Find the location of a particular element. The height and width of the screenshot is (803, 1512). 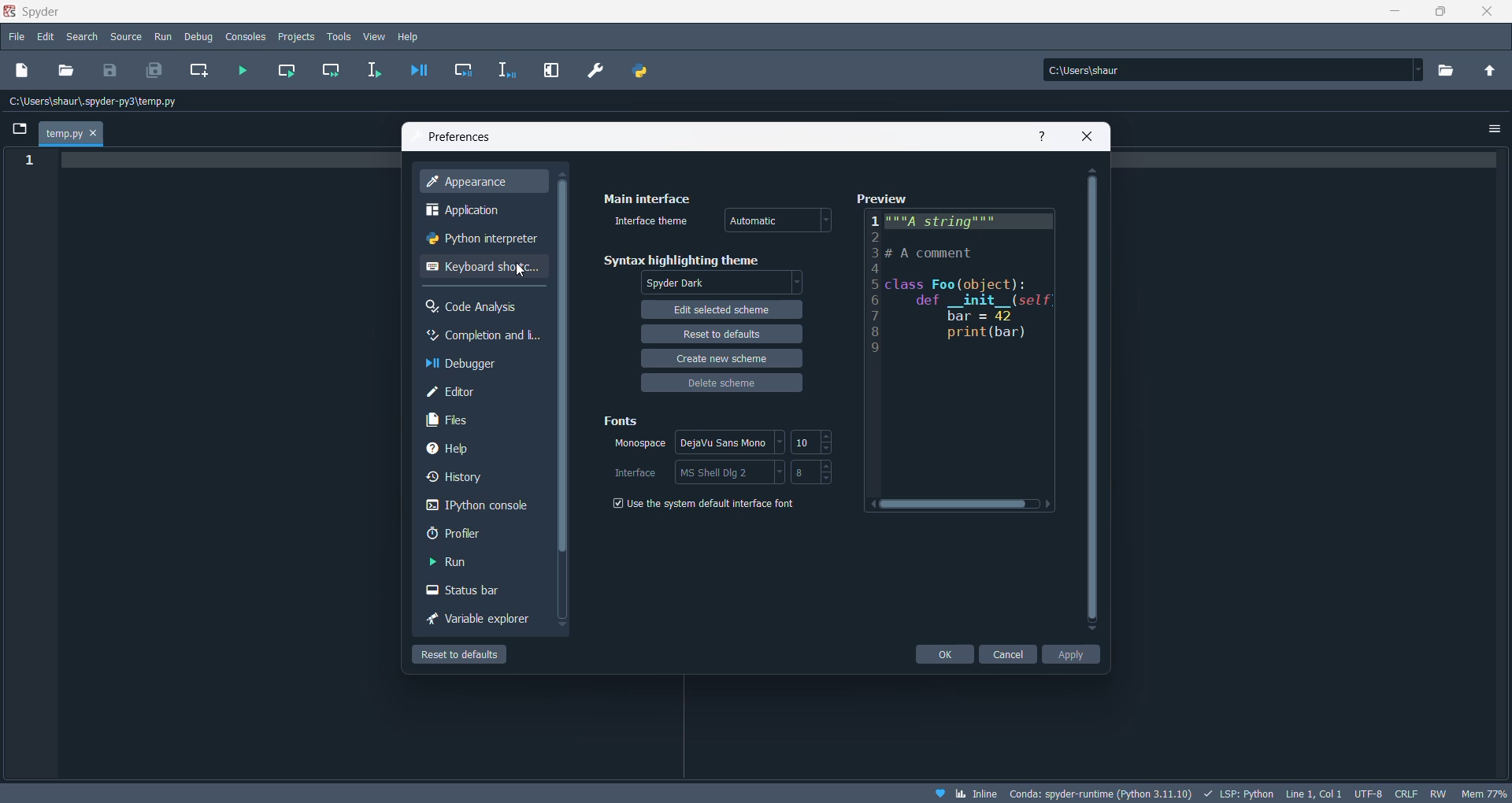

file is located at coordinates (16, 35).